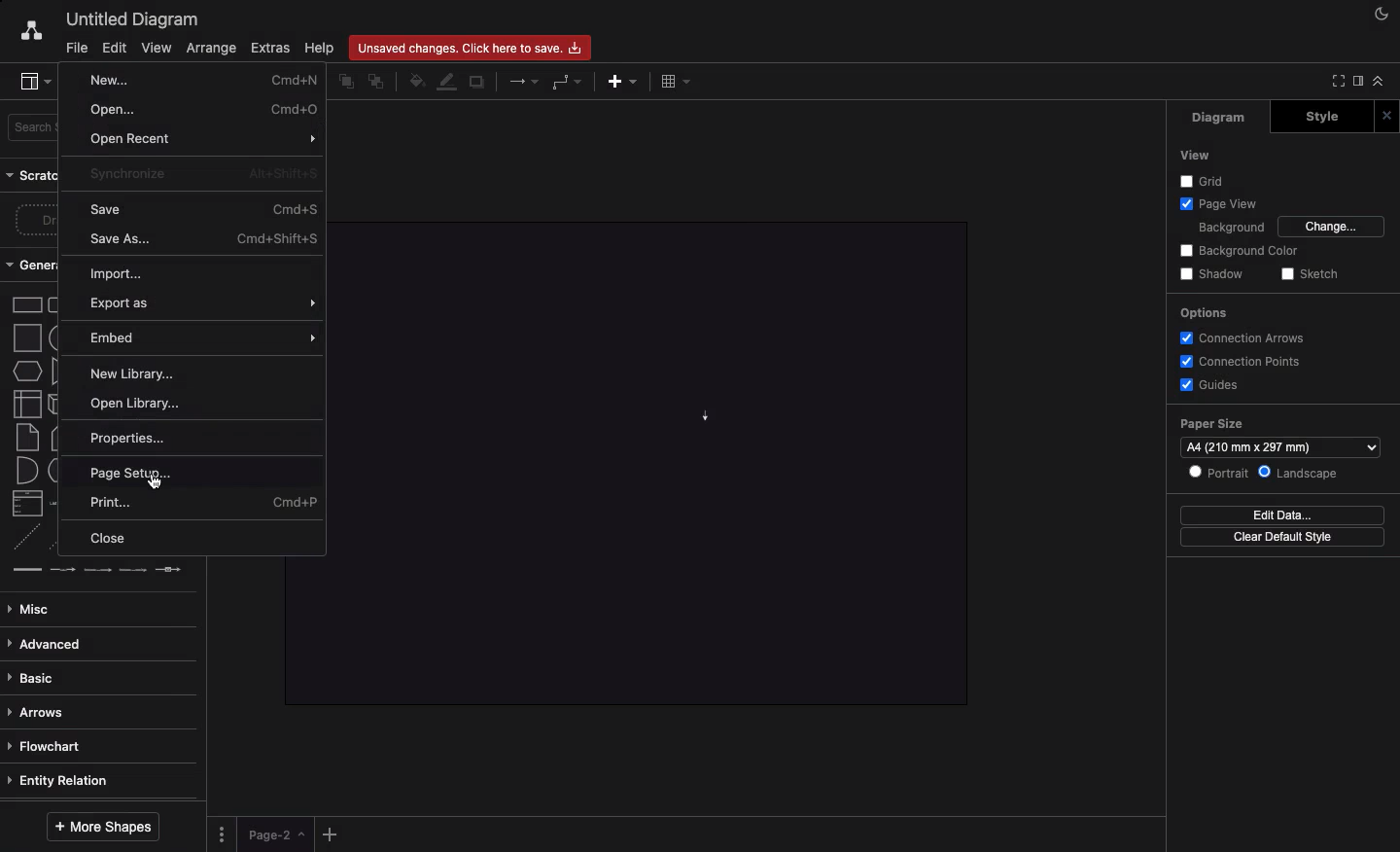 This screenshot has width=1400, height=852. I want to click on Arrow, so click(699, 412).